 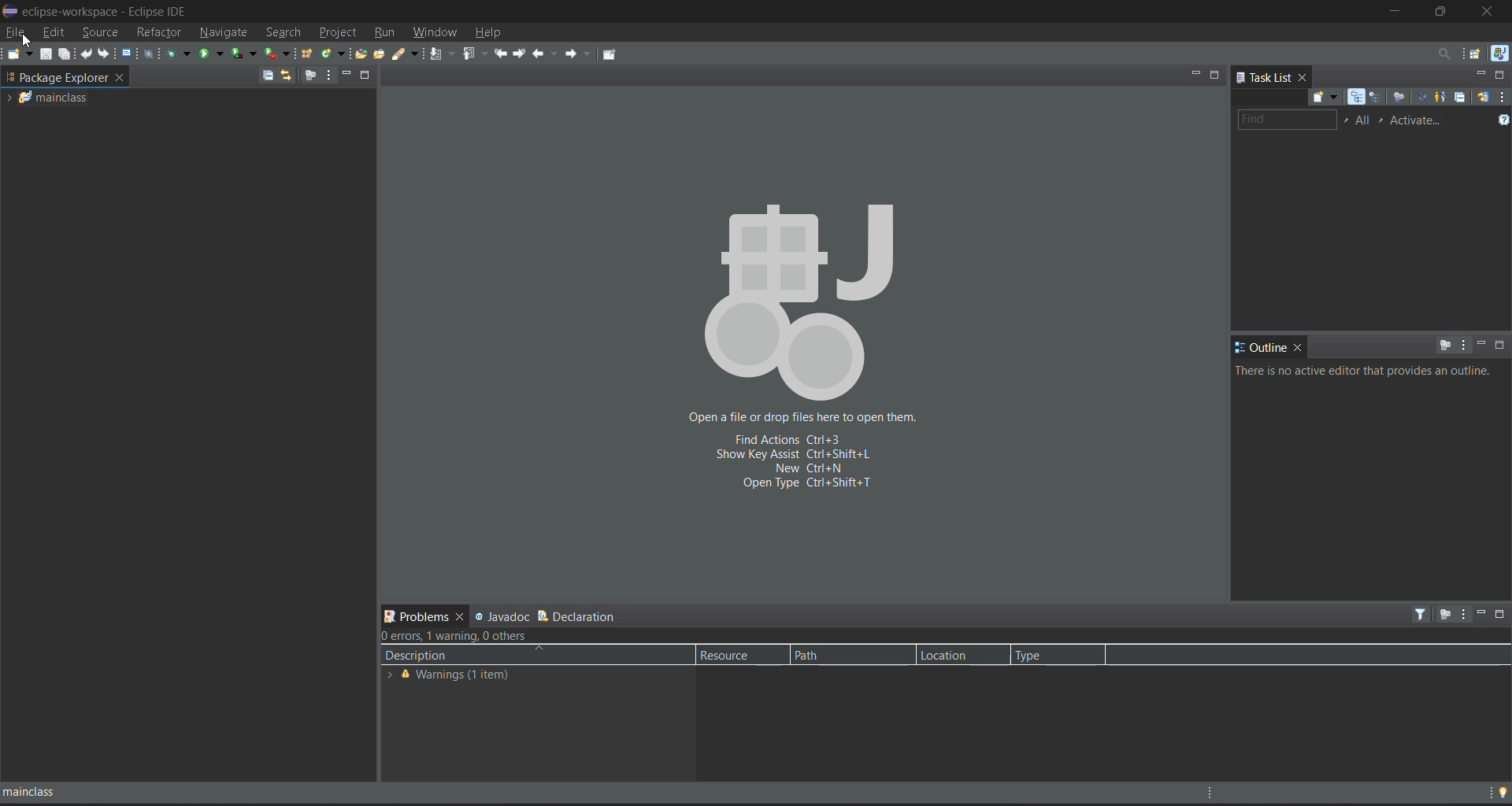 What do you see at coordinates (1501, 345) in the screenshot?
I see `maximize` at bounding box center [1501, 345].